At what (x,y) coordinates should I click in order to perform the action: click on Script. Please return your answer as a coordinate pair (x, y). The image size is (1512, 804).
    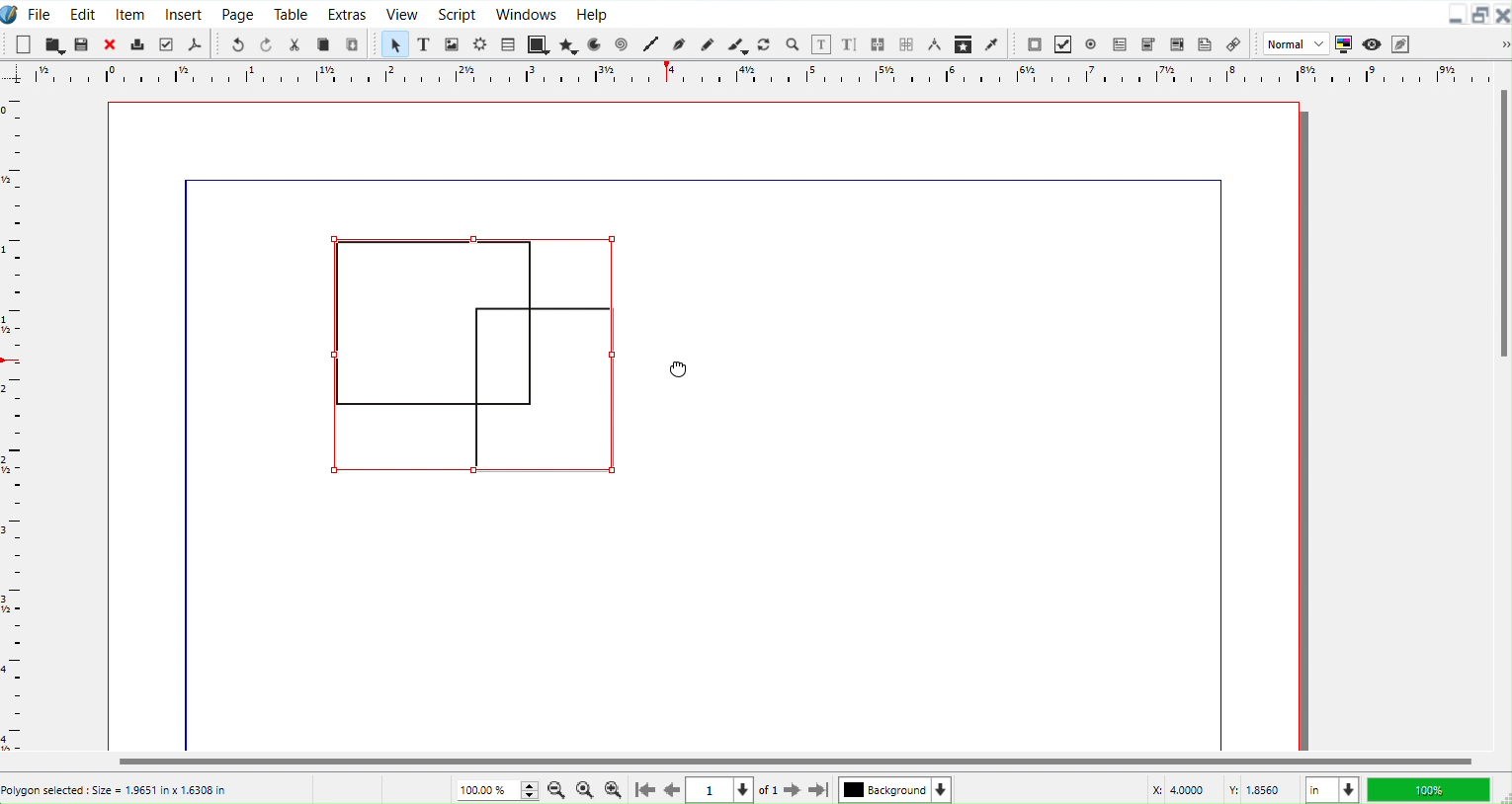
    Looking at the image, I should click on (458, 13).